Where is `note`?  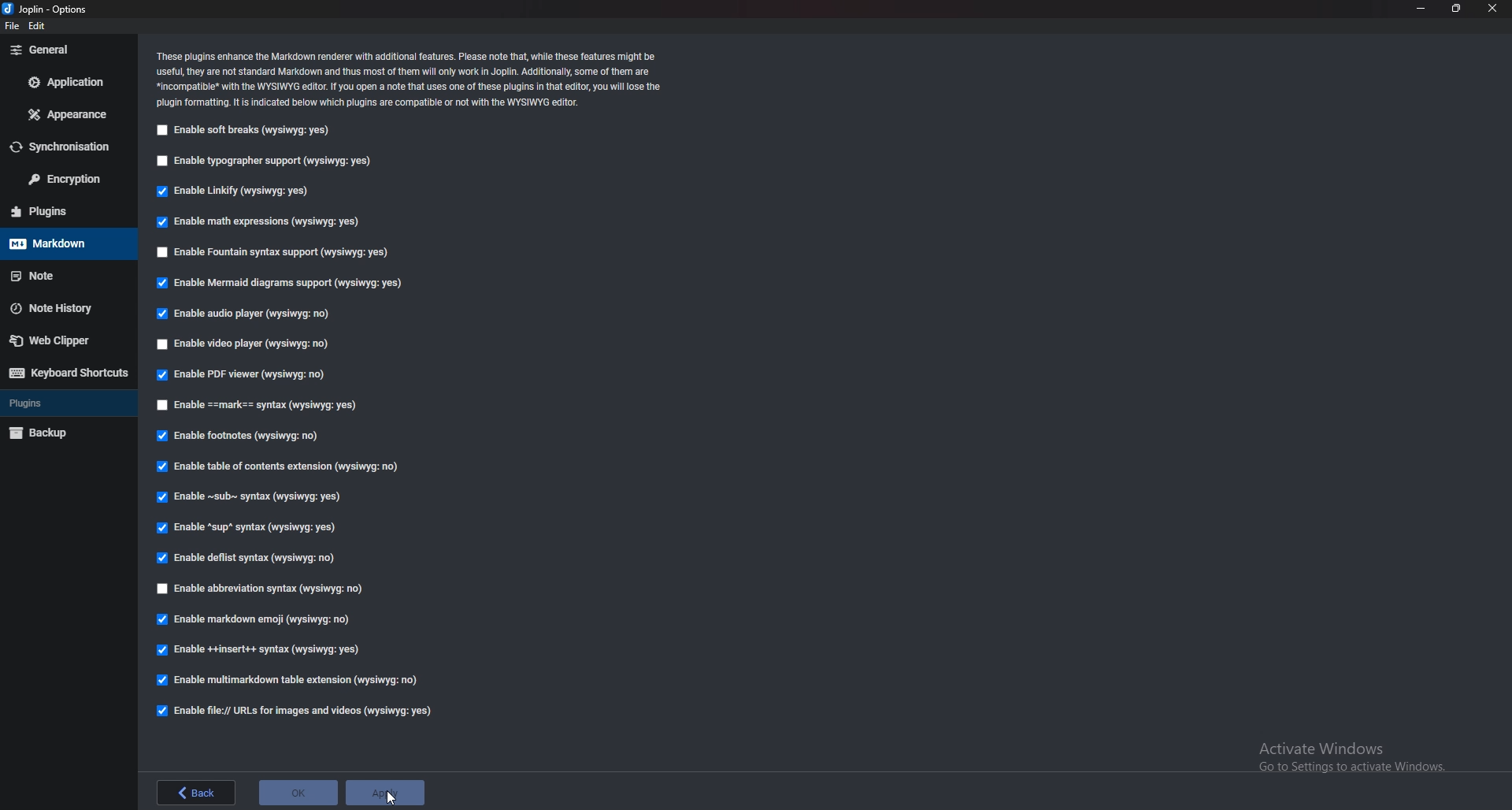 note is located at coordinates (58, 276).